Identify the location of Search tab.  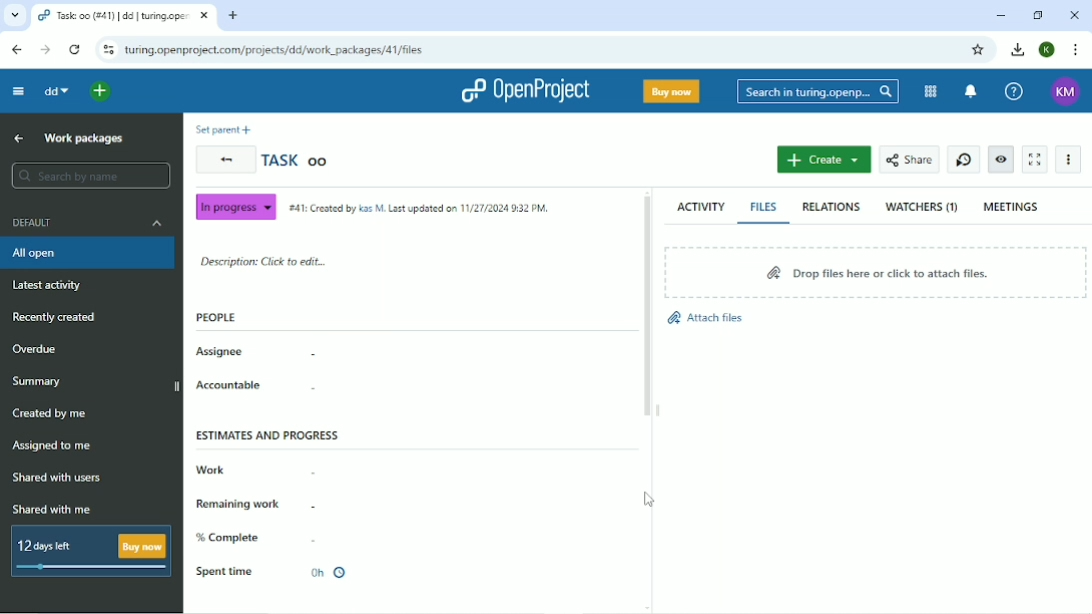
(13, 15).